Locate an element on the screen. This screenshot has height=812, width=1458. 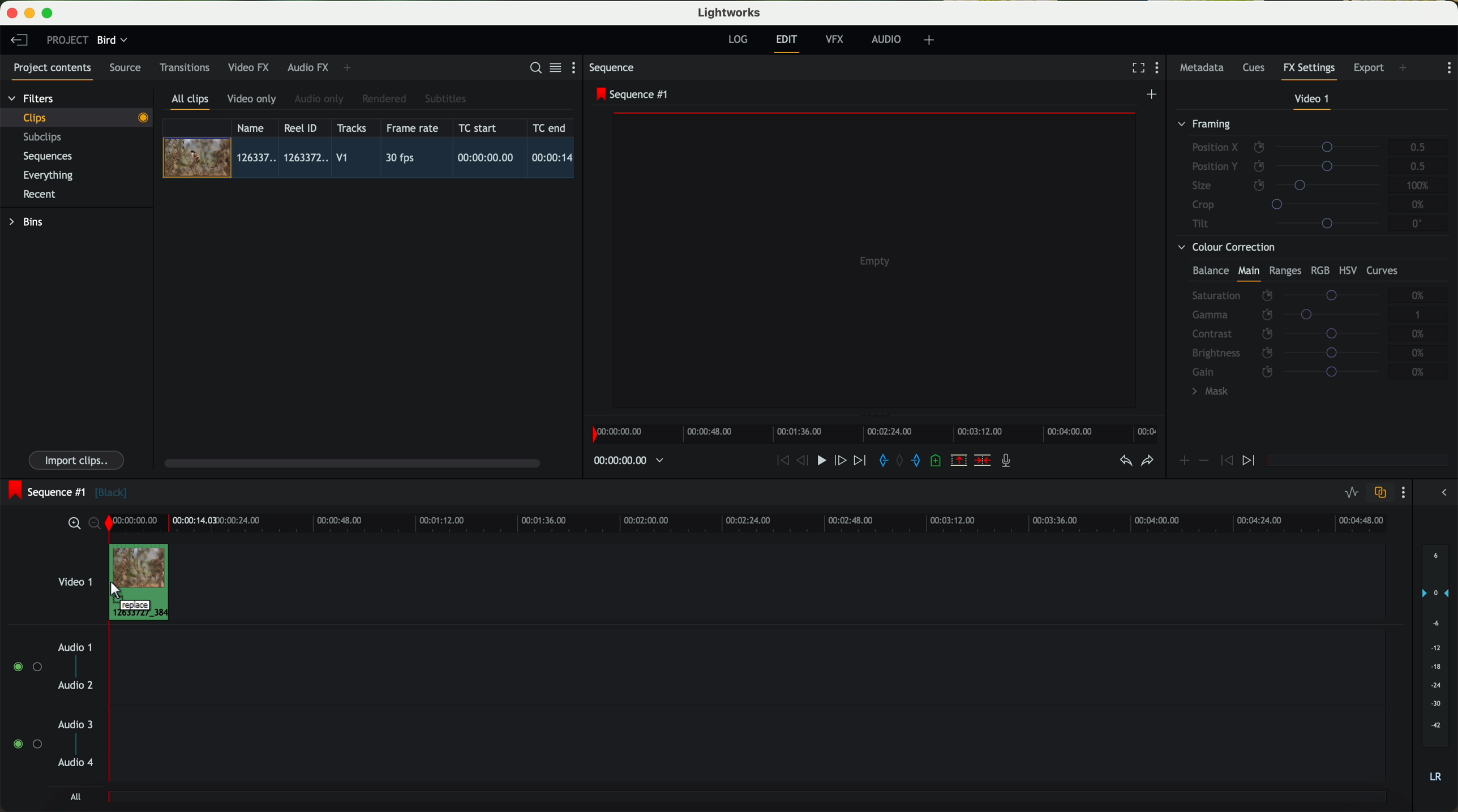
zoom in is located at coordinates (72, 524).